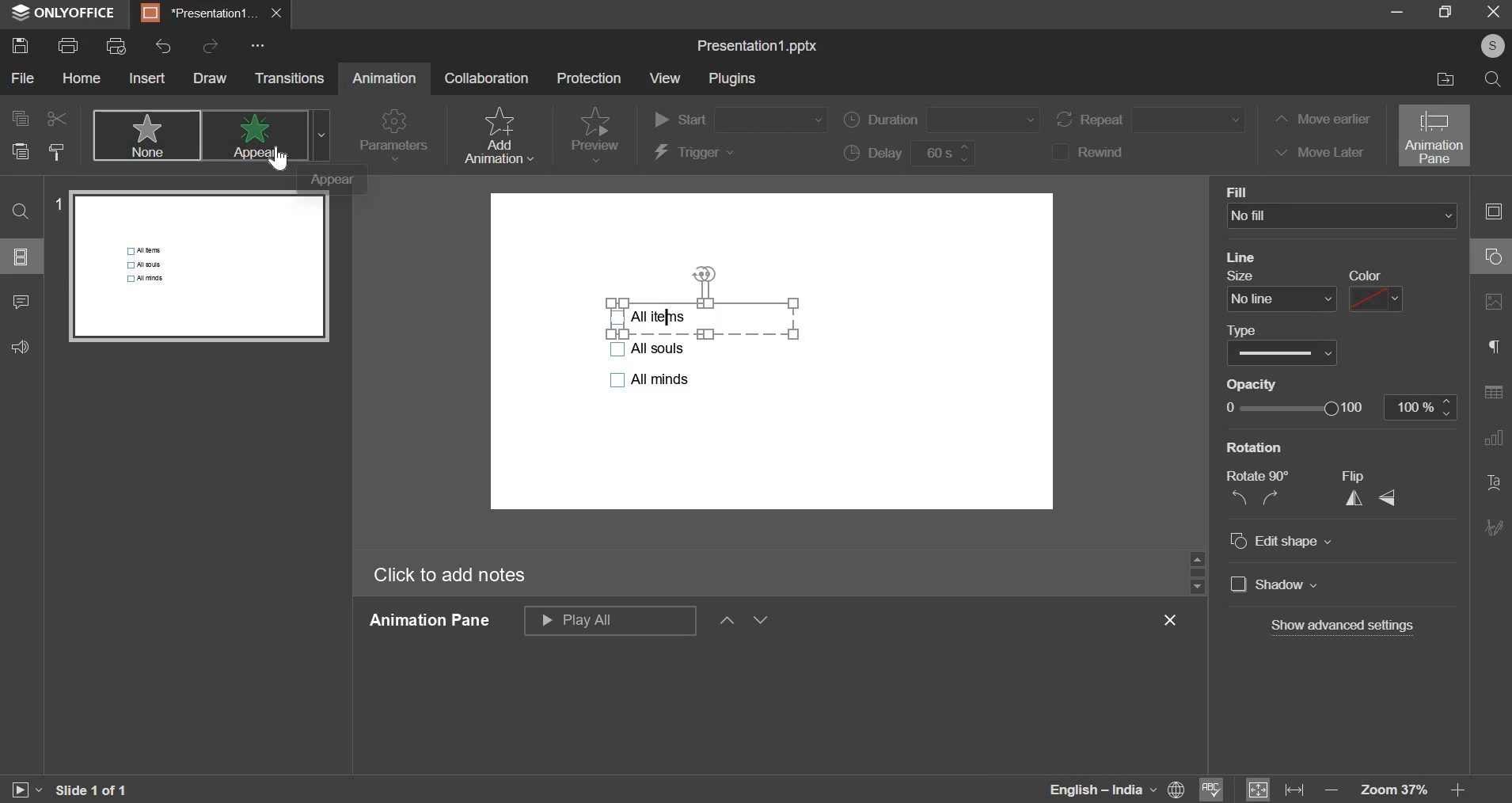  What do you see at coordinates (1373, 498) in the screenshot?
I see `Flip` at bounding box center [1373, 498].